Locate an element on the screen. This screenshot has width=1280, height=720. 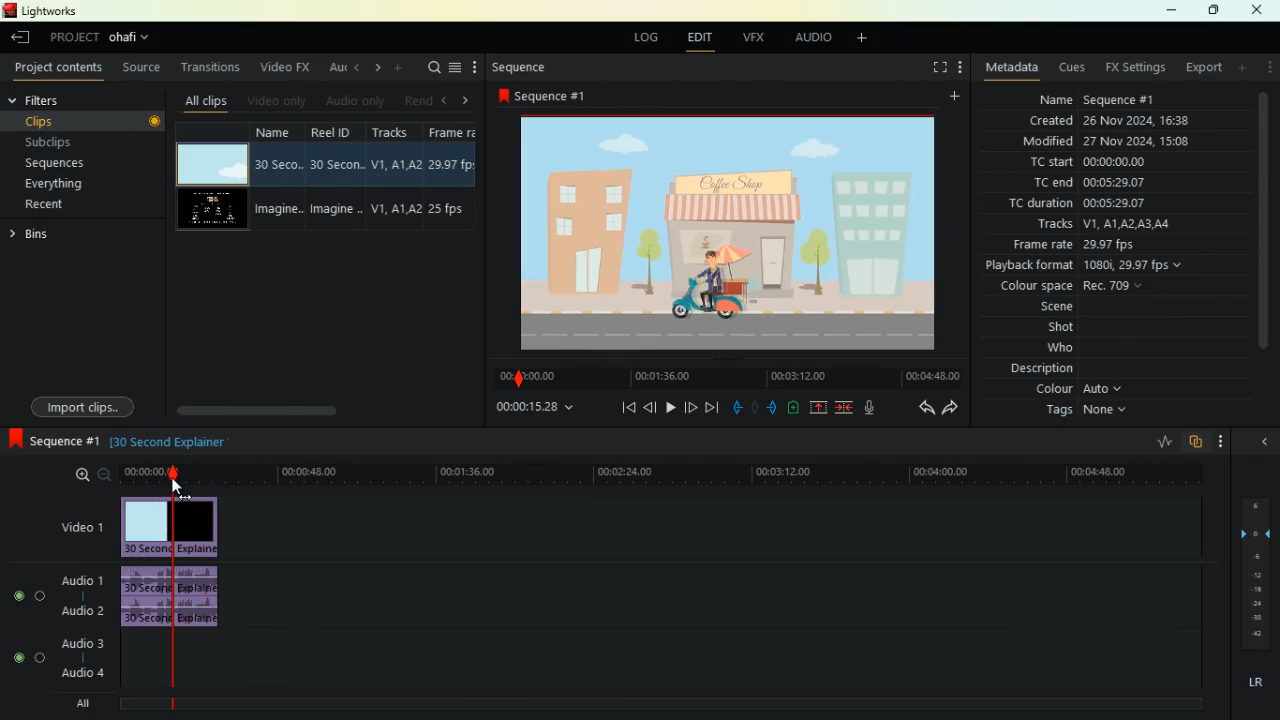
rate is located at coordinates (1158, 442).